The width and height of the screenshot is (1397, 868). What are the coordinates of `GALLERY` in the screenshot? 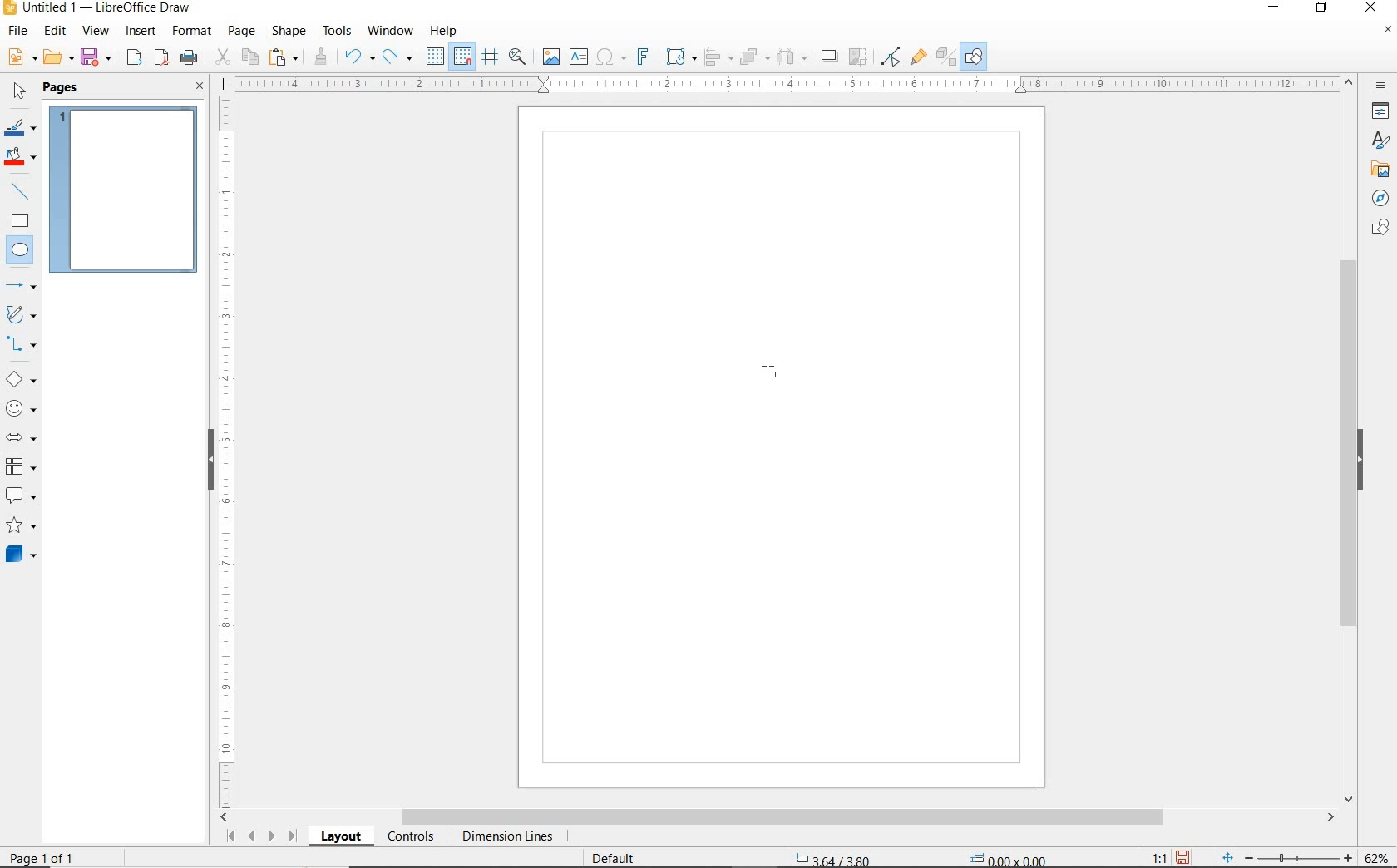 It's located at (1378, 170).